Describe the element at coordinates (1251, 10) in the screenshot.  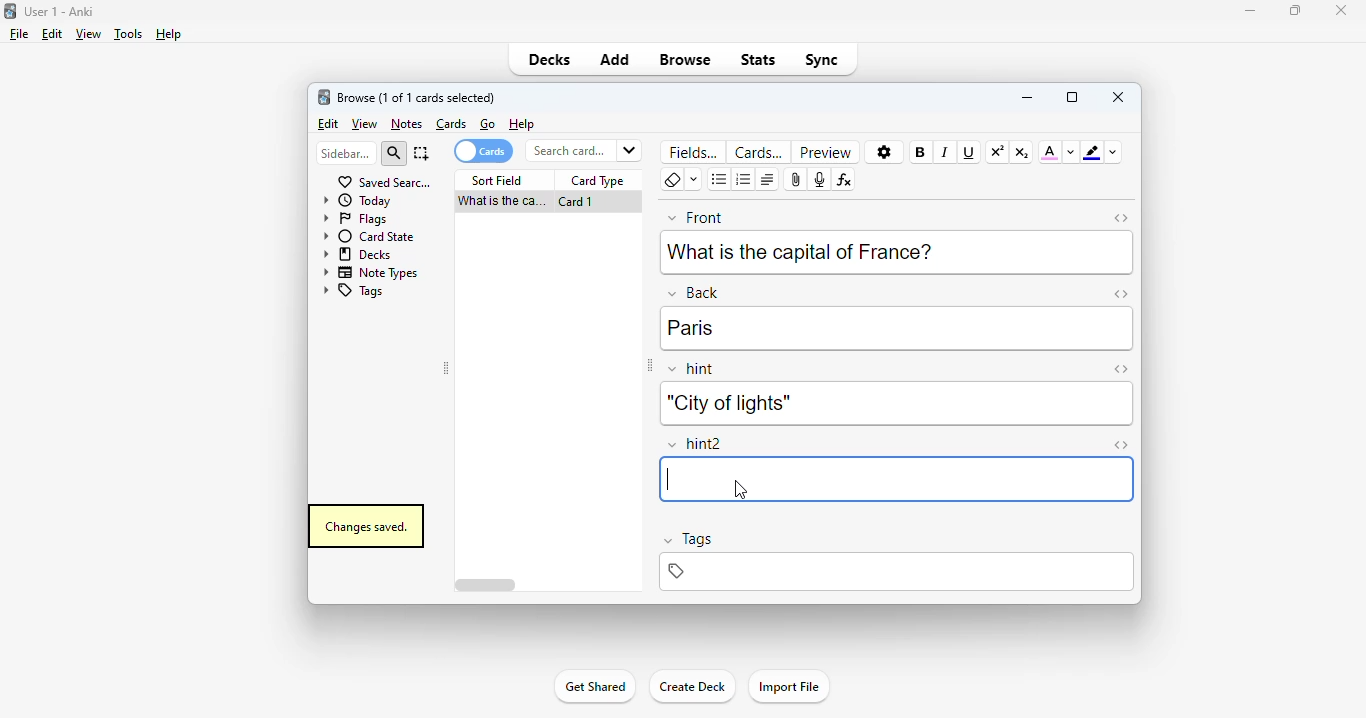
I see `minimize` at that location.